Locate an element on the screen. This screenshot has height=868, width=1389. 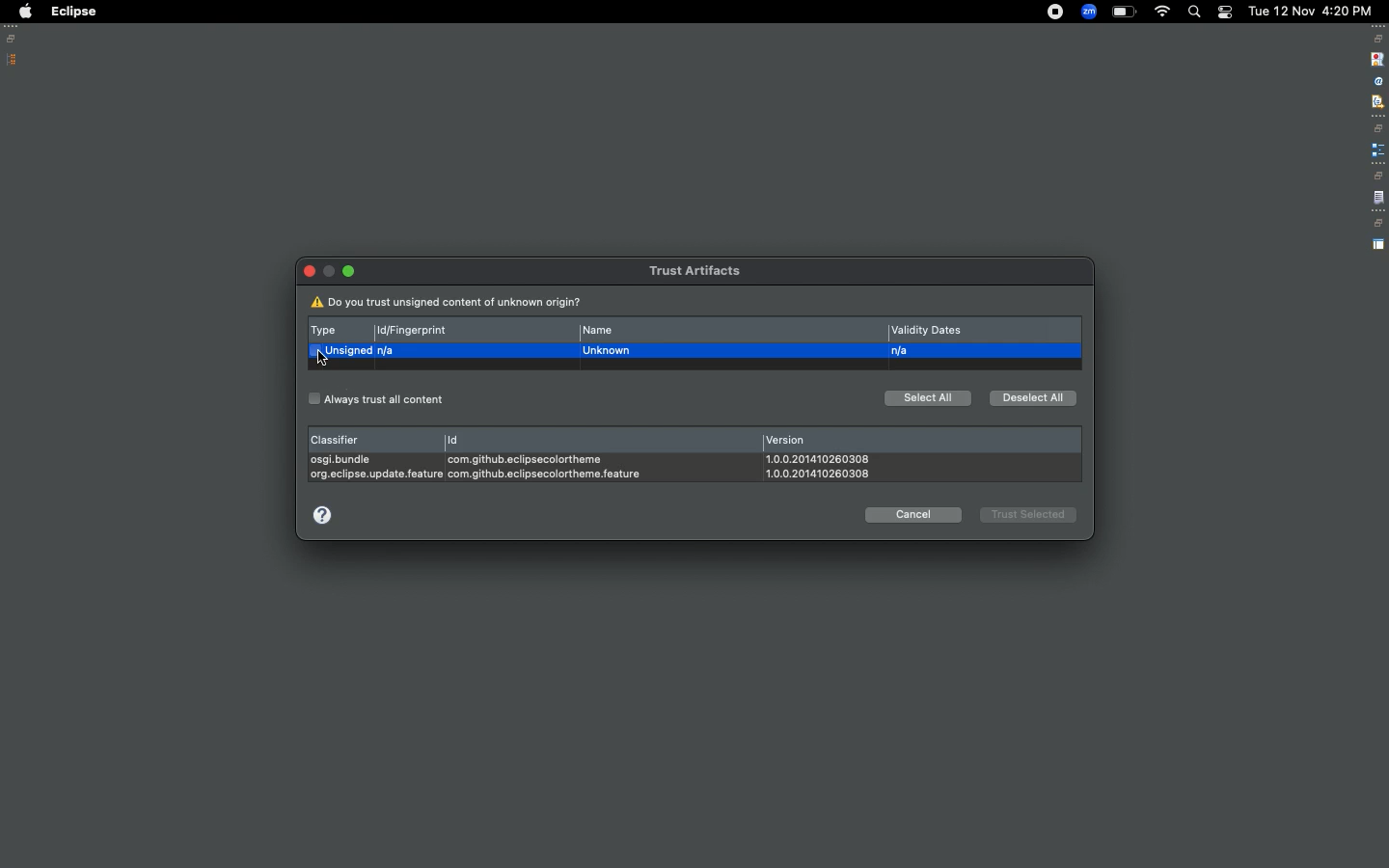
Name is located at coordinates (610, 331).